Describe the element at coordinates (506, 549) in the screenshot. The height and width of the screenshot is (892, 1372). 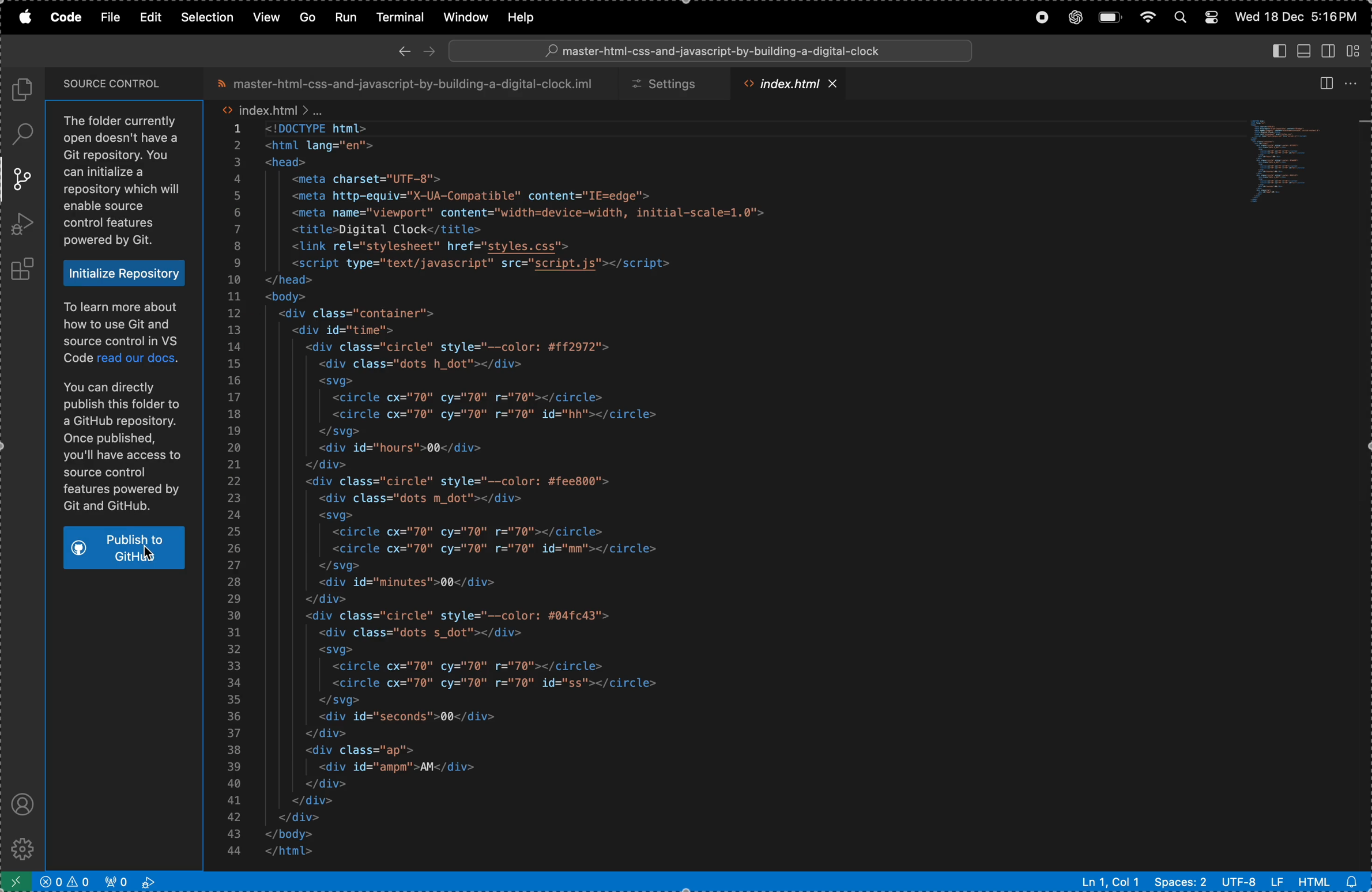
I see `<circle cx="70" cy="70" r="70" id="mm"></circle>` at that location.